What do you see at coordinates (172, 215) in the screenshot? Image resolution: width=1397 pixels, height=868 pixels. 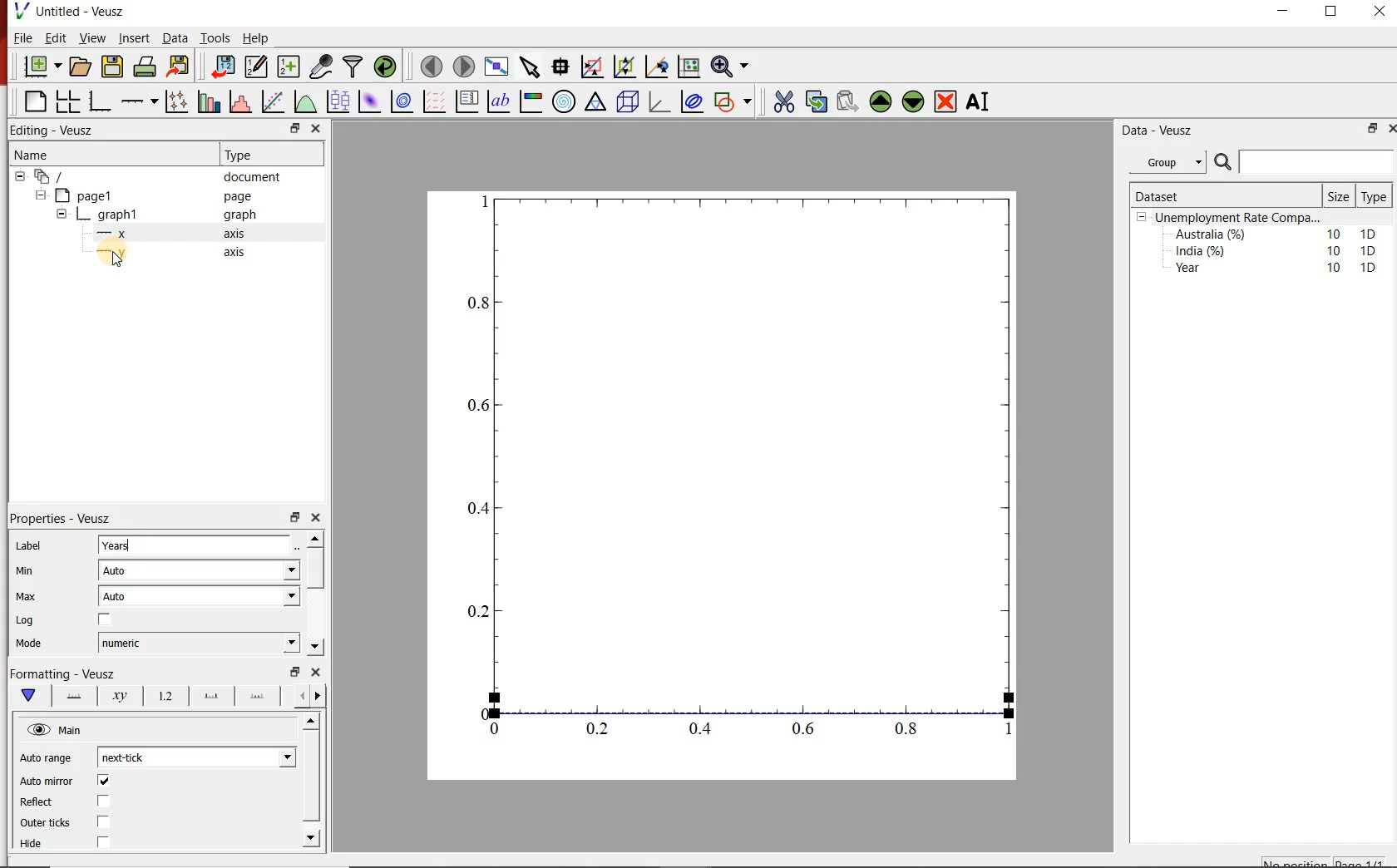 I see `graph1
pl graph` at bounding box center [172, 215].